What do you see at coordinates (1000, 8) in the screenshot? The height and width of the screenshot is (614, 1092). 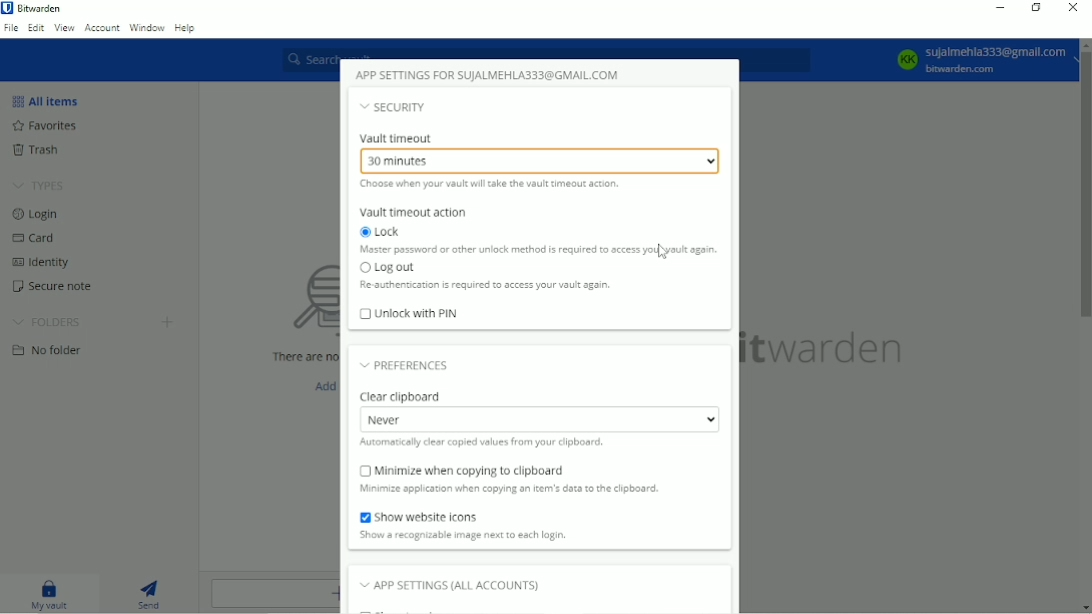 I see `Minimize` at bounding box center [1000, 8].